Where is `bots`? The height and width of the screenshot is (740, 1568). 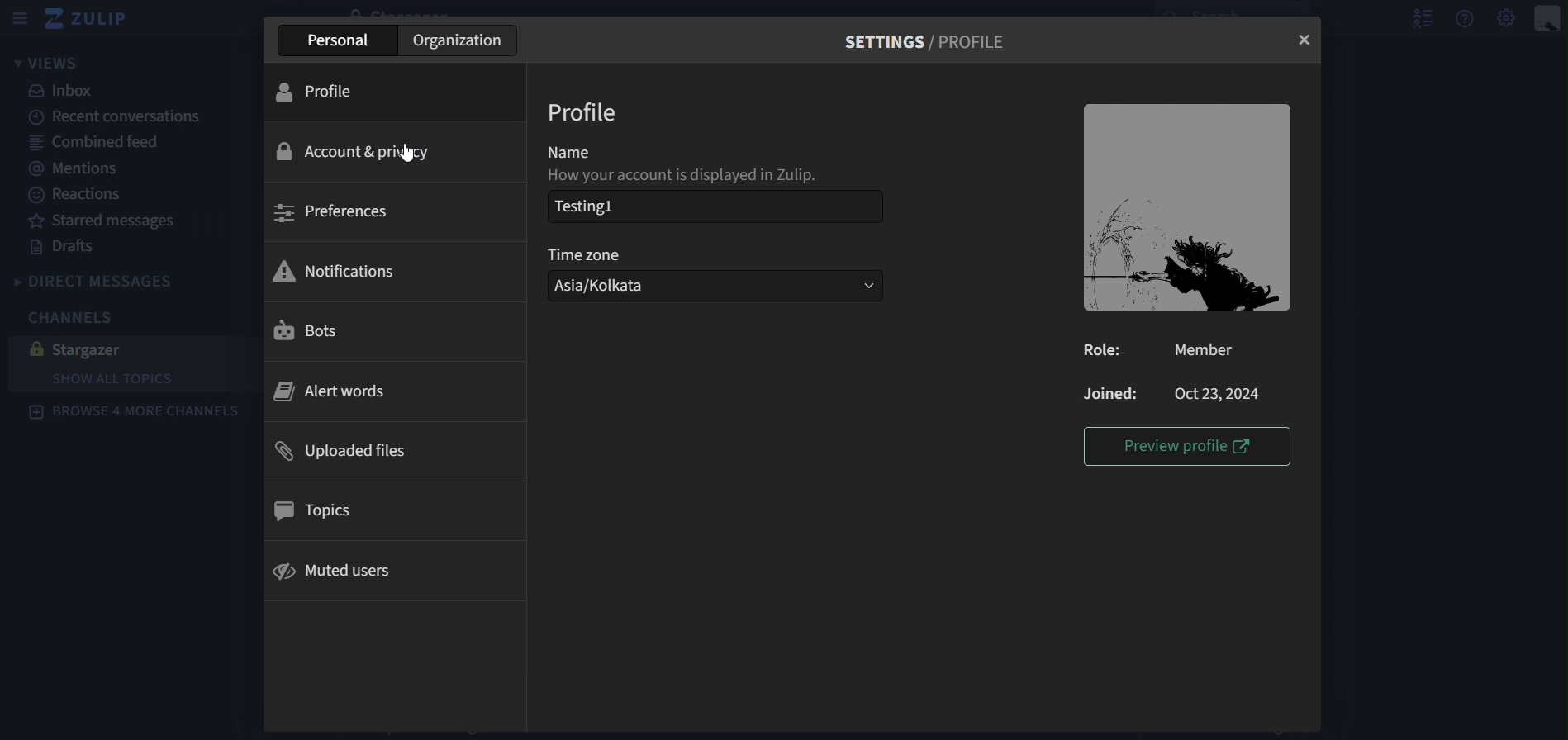
bots is located at coordinates (312, 329).